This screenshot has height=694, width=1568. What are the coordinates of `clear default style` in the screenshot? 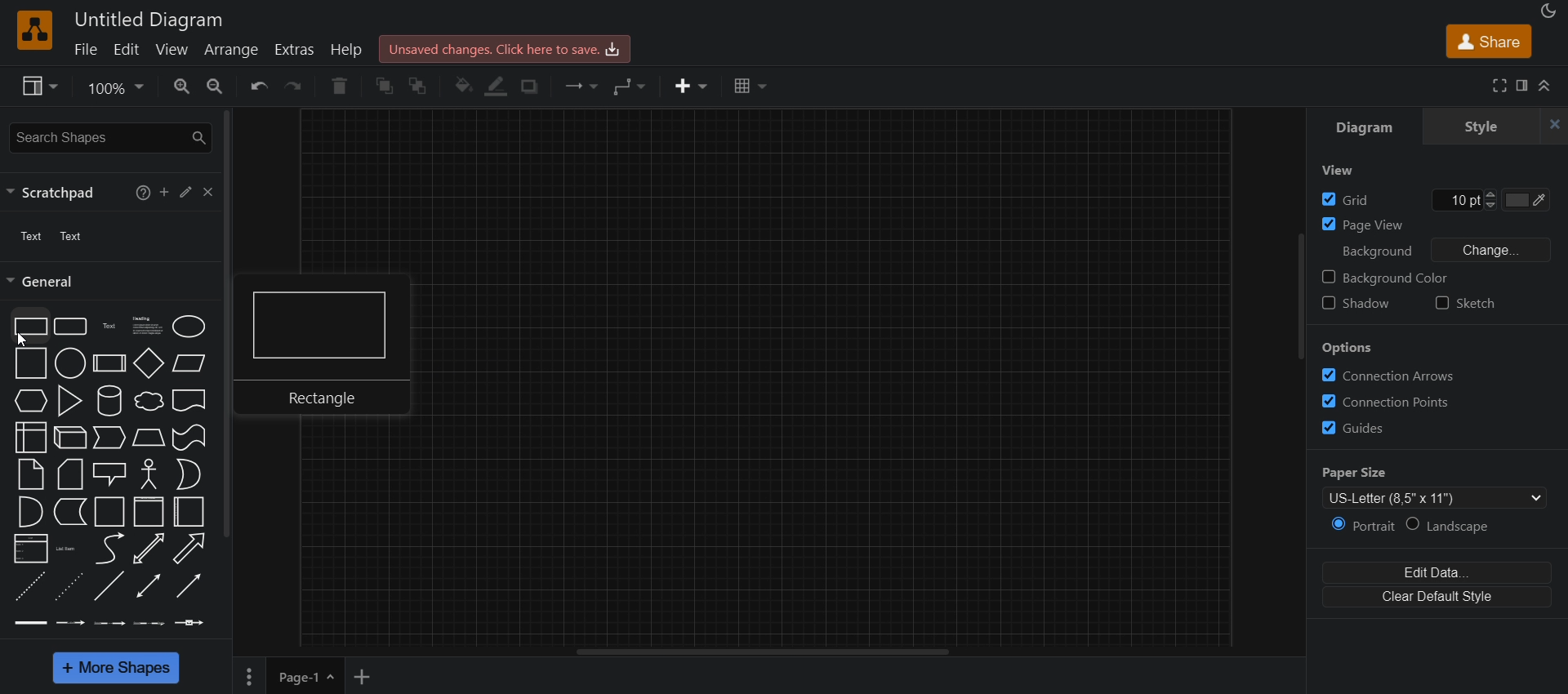 It's located at (1433, 599).